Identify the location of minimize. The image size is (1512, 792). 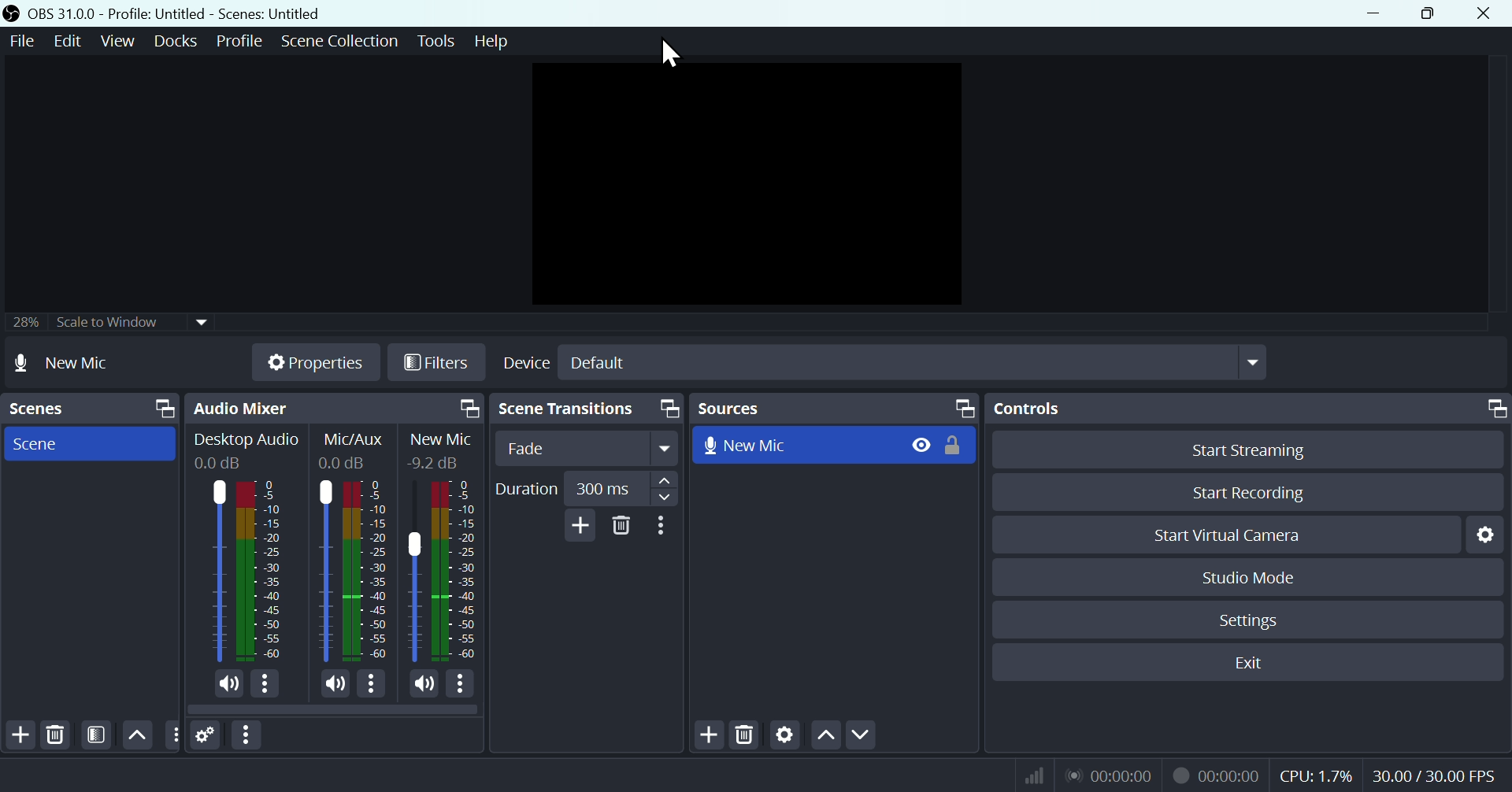
(1379, 13).